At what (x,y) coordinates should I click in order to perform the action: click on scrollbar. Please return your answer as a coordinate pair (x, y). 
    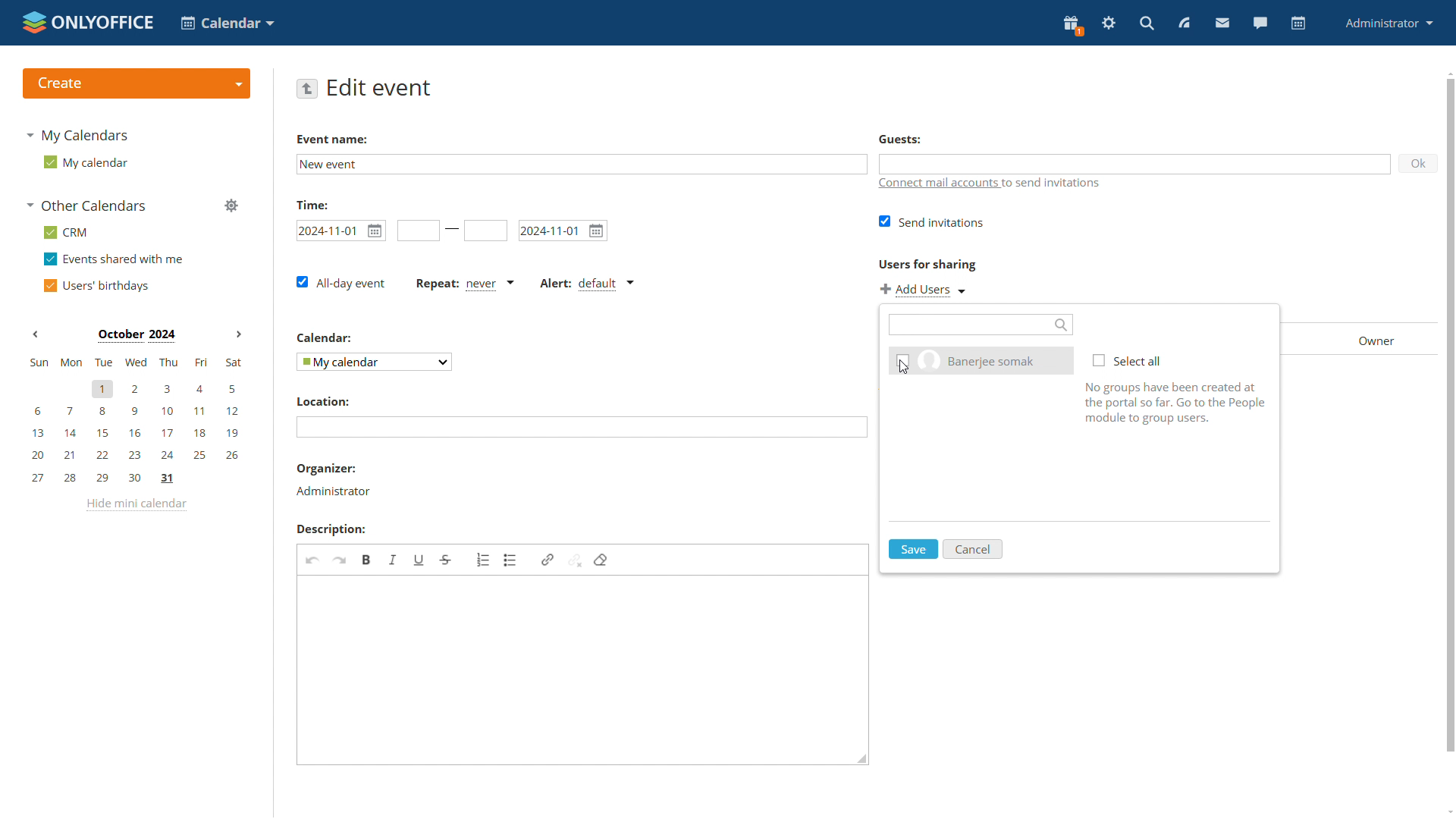
    Looking at the image, I should click on (1450, 416).